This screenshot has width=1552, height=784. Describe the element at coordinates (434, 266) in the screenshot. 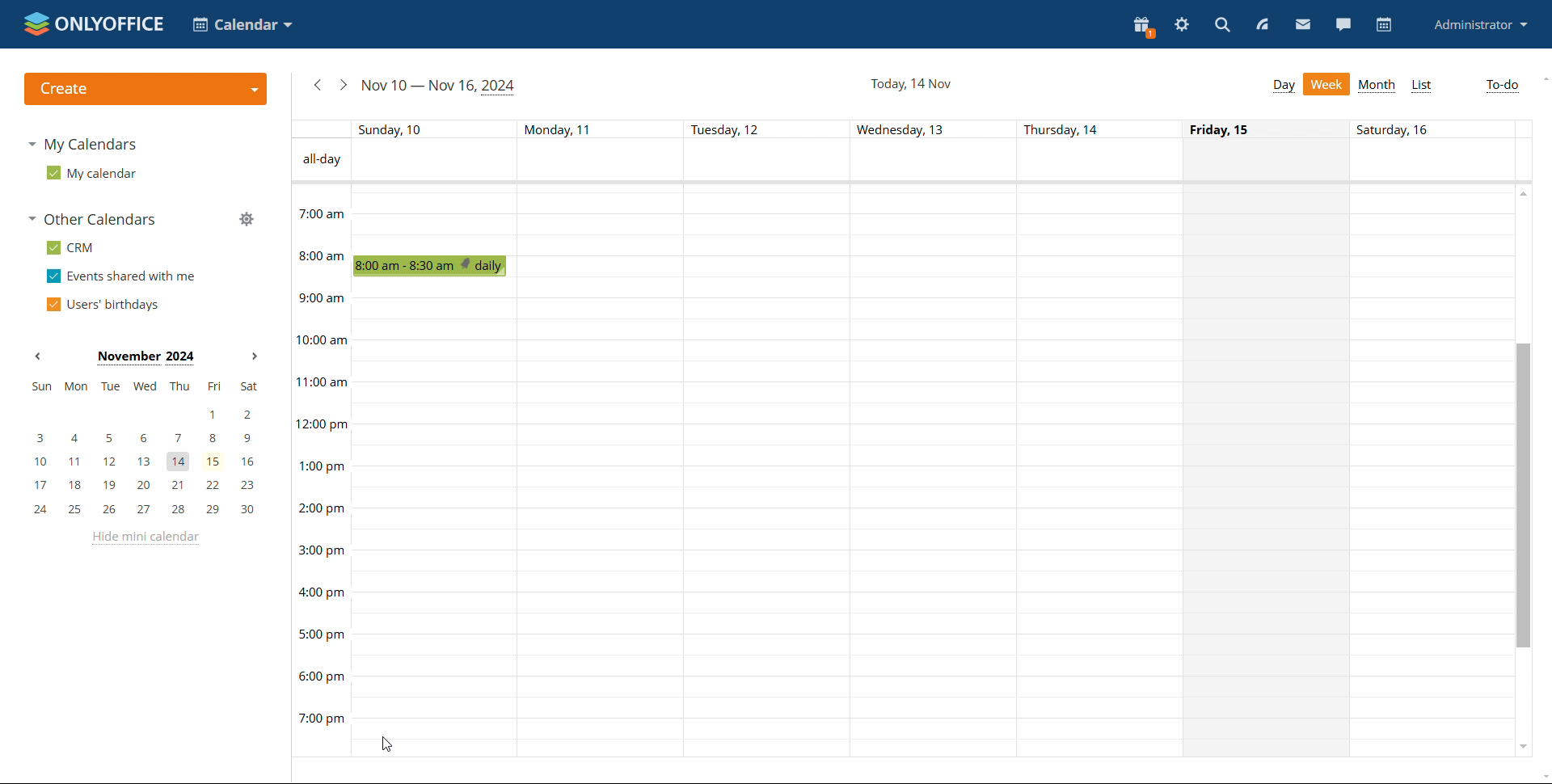

I see `scheduled  event` at that location.